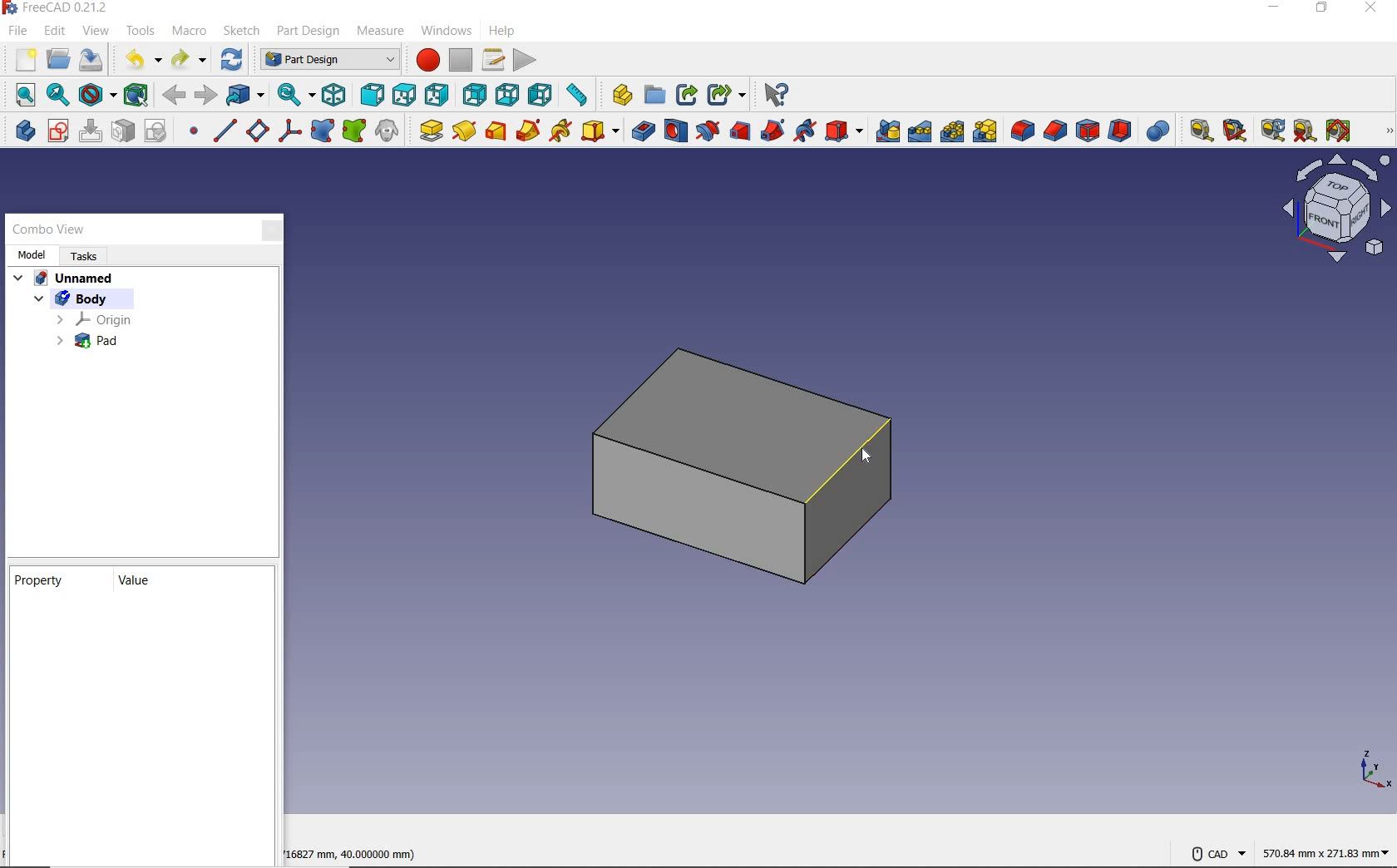  What do you see at coordinates (403, 94) in the screenshot?
I see `top` at bounding box center [403, 94].